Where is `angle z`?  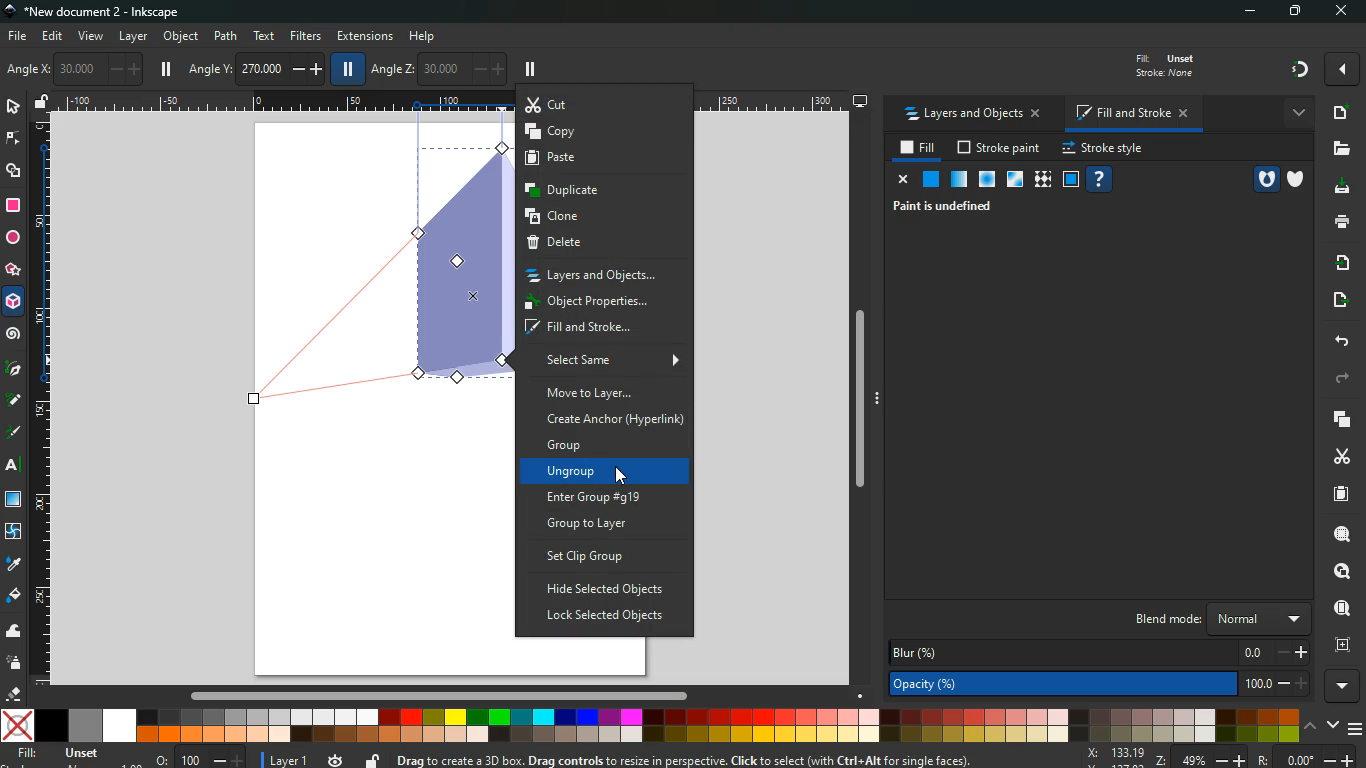 angle z is located at coordinates (437, 67).